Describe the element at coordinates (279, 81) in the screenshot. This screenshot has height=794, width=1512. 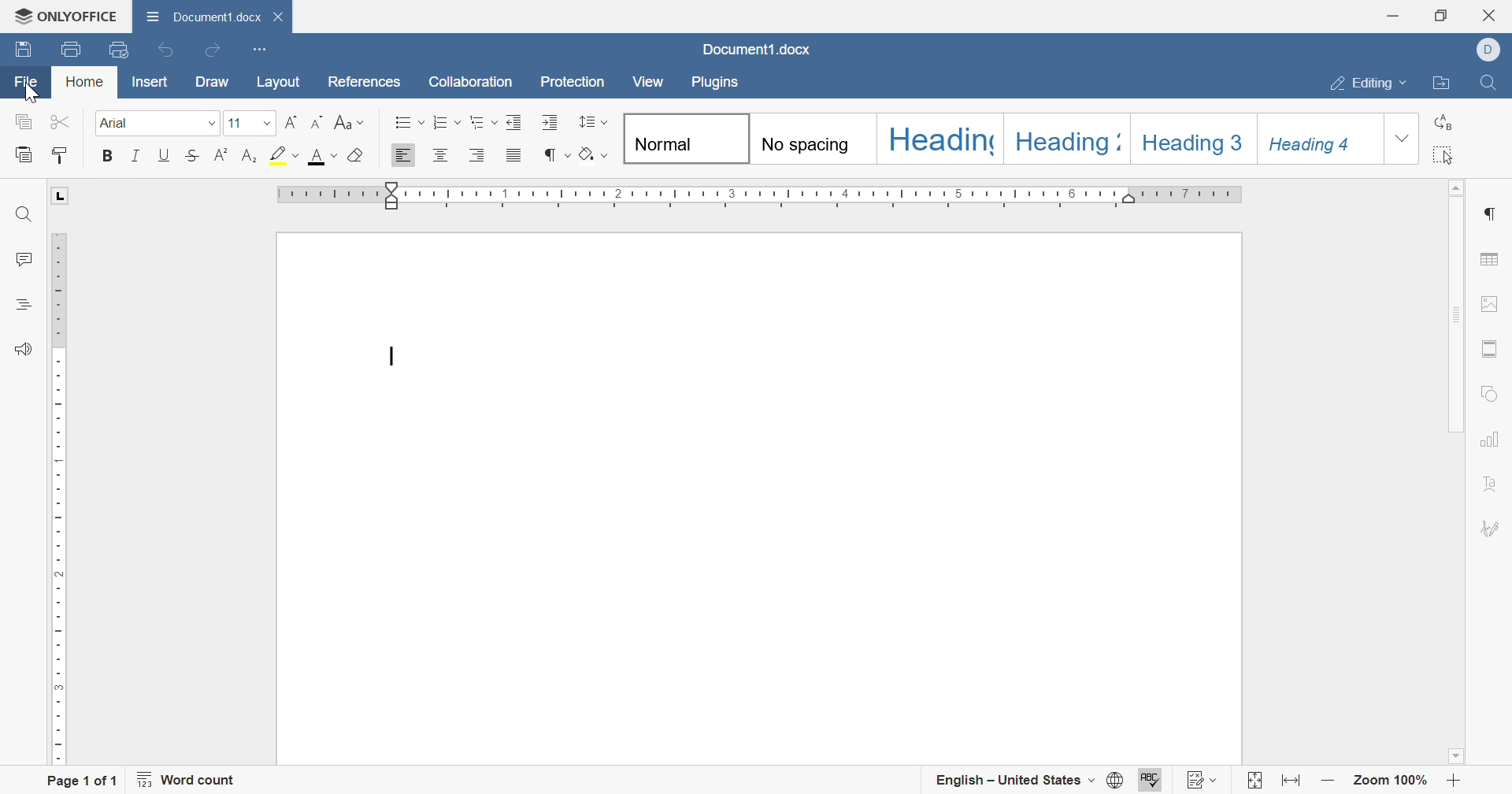
I see `layout` at that location.